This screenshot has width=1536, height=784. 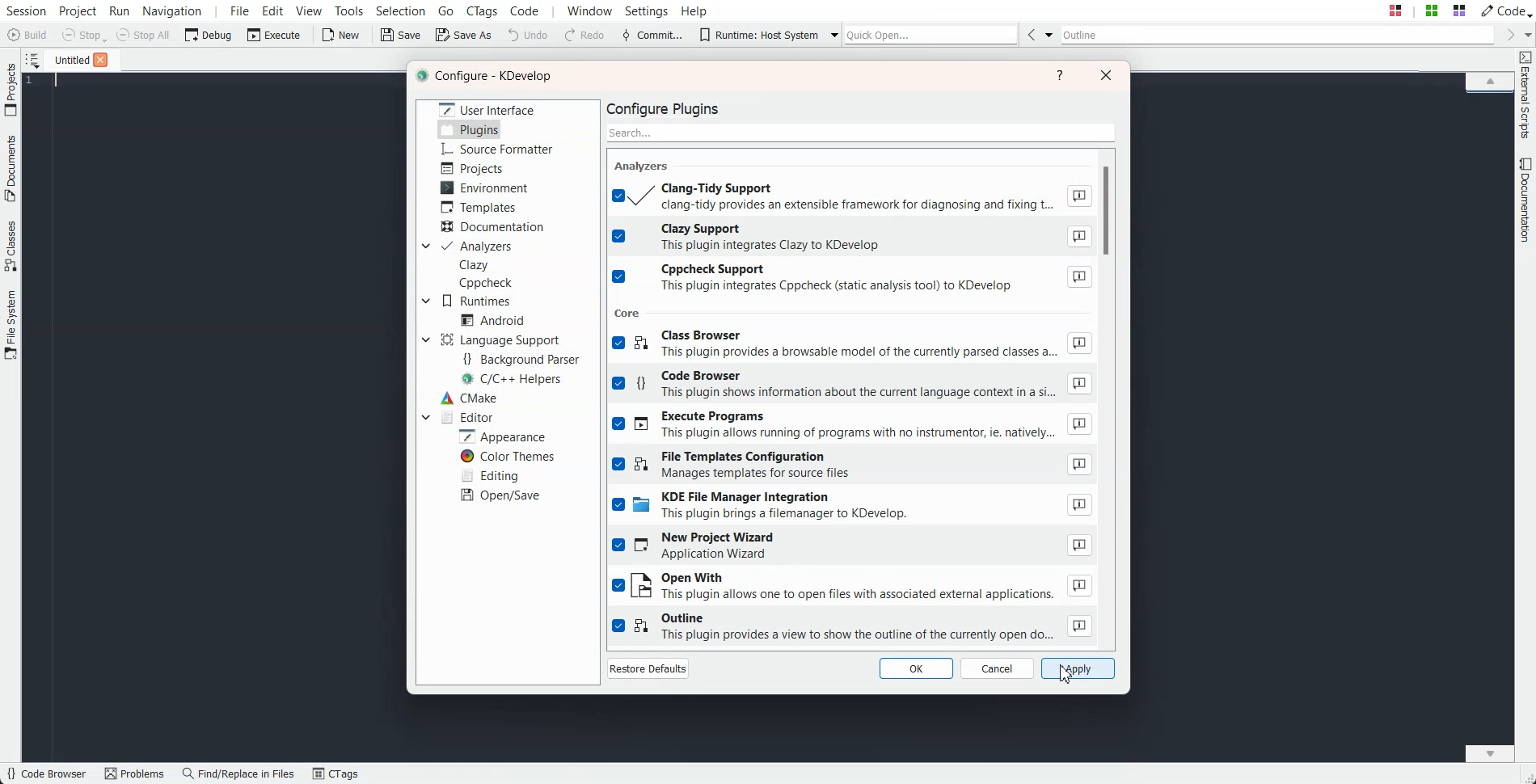 I want to click on Enable File Template Configuration, so click(x=852, y=466).